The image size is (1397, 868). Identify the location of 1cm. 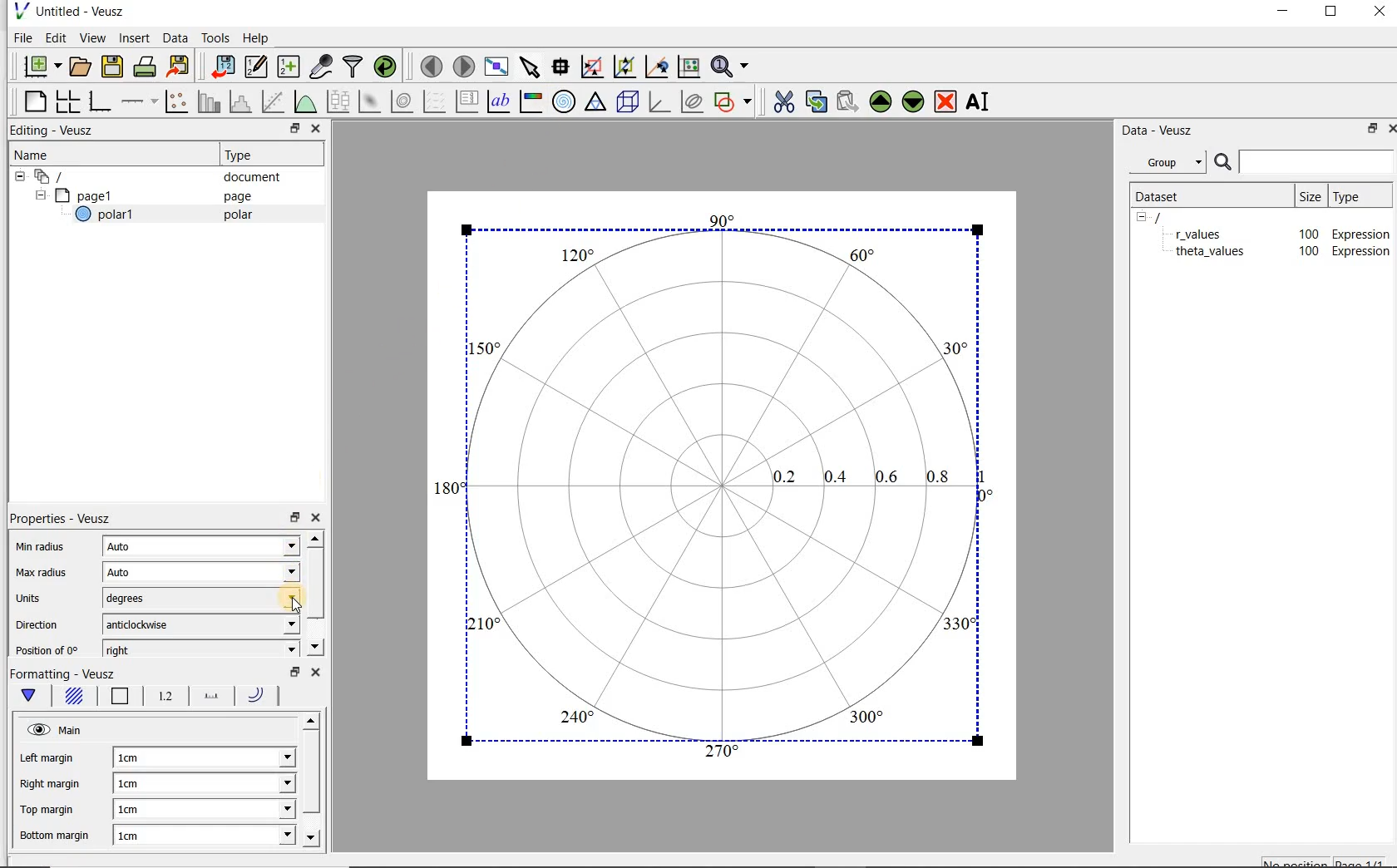
(141, 810).